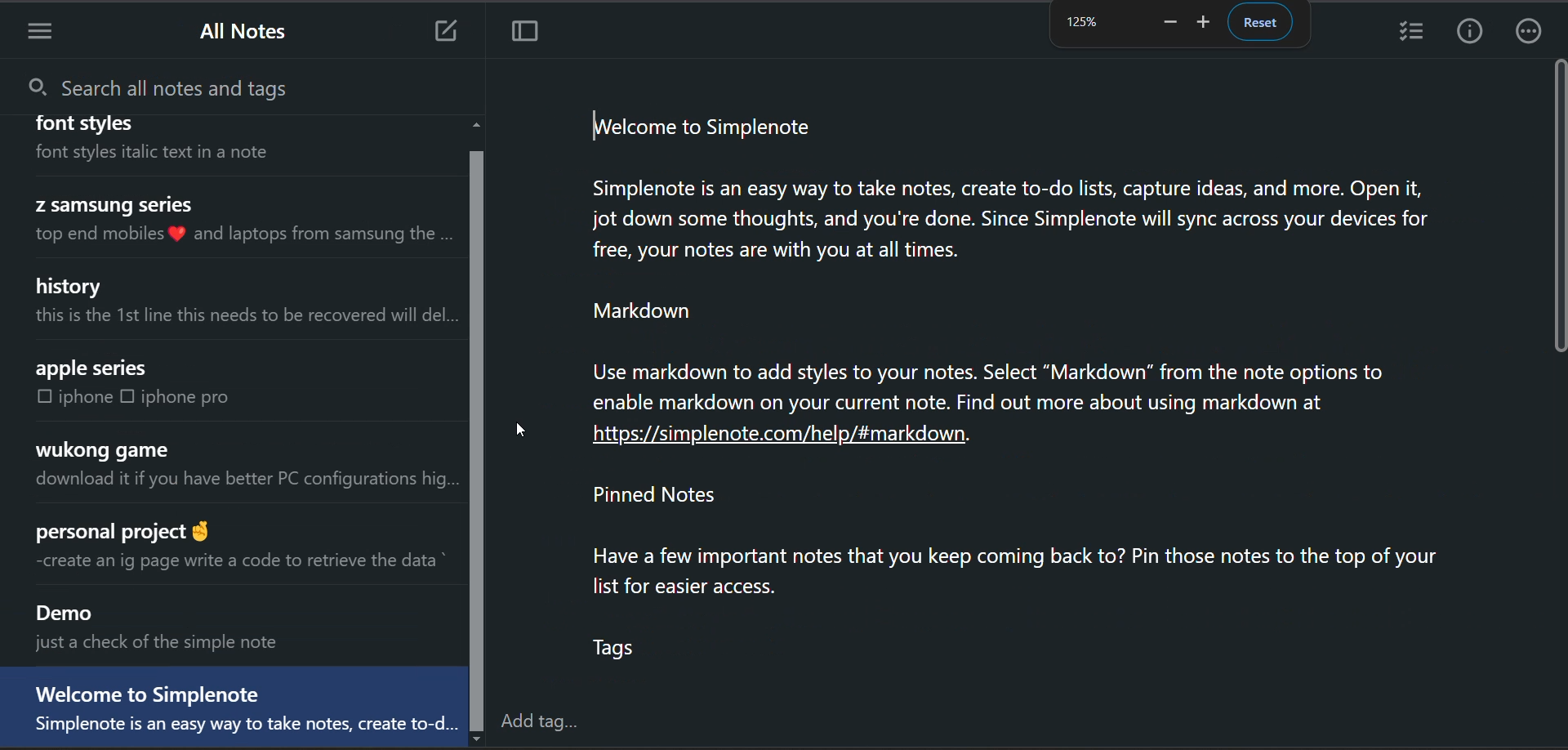 The width and height of the screenshot is (1568, 750). Describe the element at coordinates (84, 398) in the screenshot. I see ` iphone` at that location.